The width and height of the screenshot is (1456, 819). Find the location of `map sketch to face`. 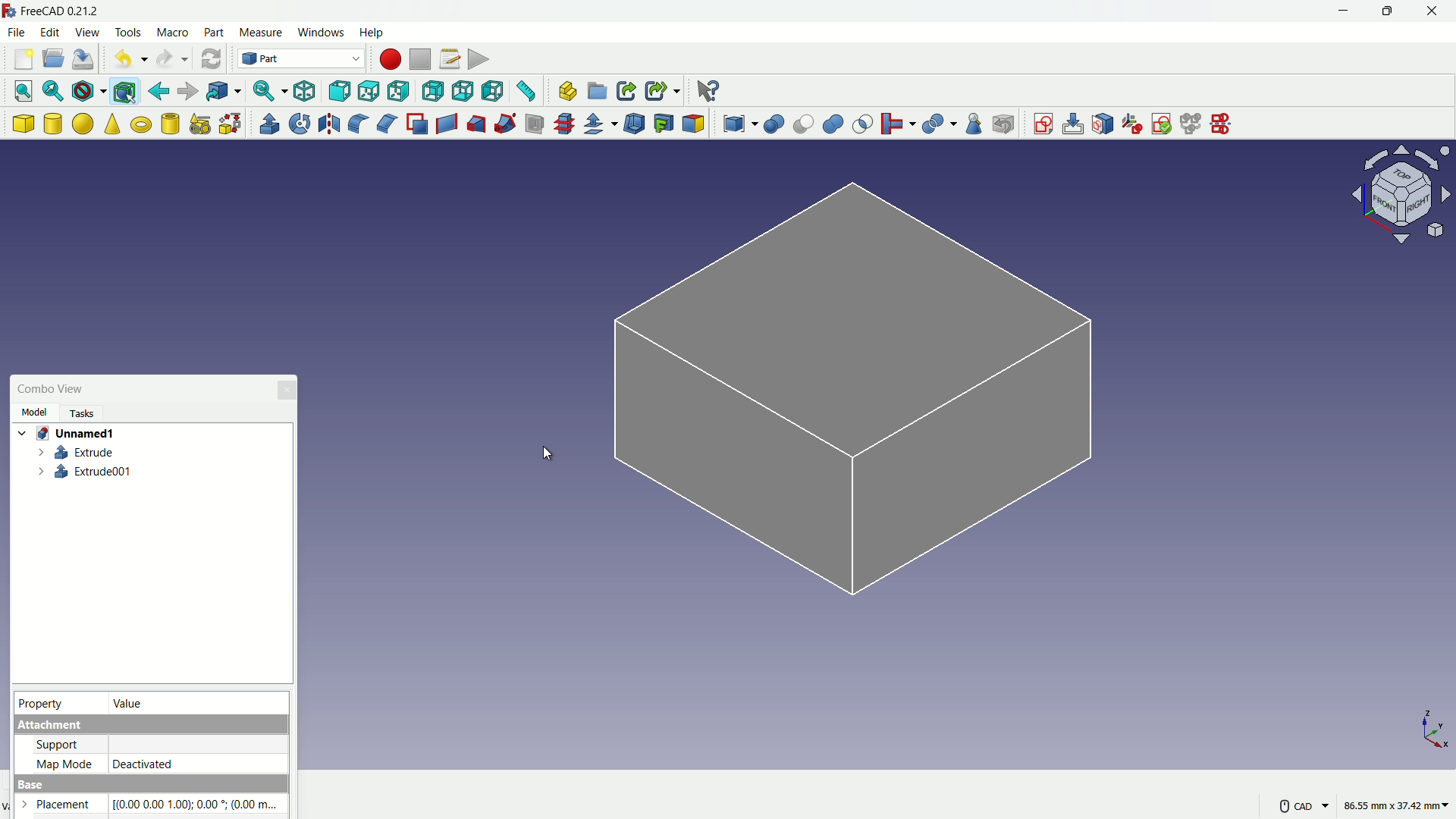

map sketch to face is located at coordinates (1102, 123).